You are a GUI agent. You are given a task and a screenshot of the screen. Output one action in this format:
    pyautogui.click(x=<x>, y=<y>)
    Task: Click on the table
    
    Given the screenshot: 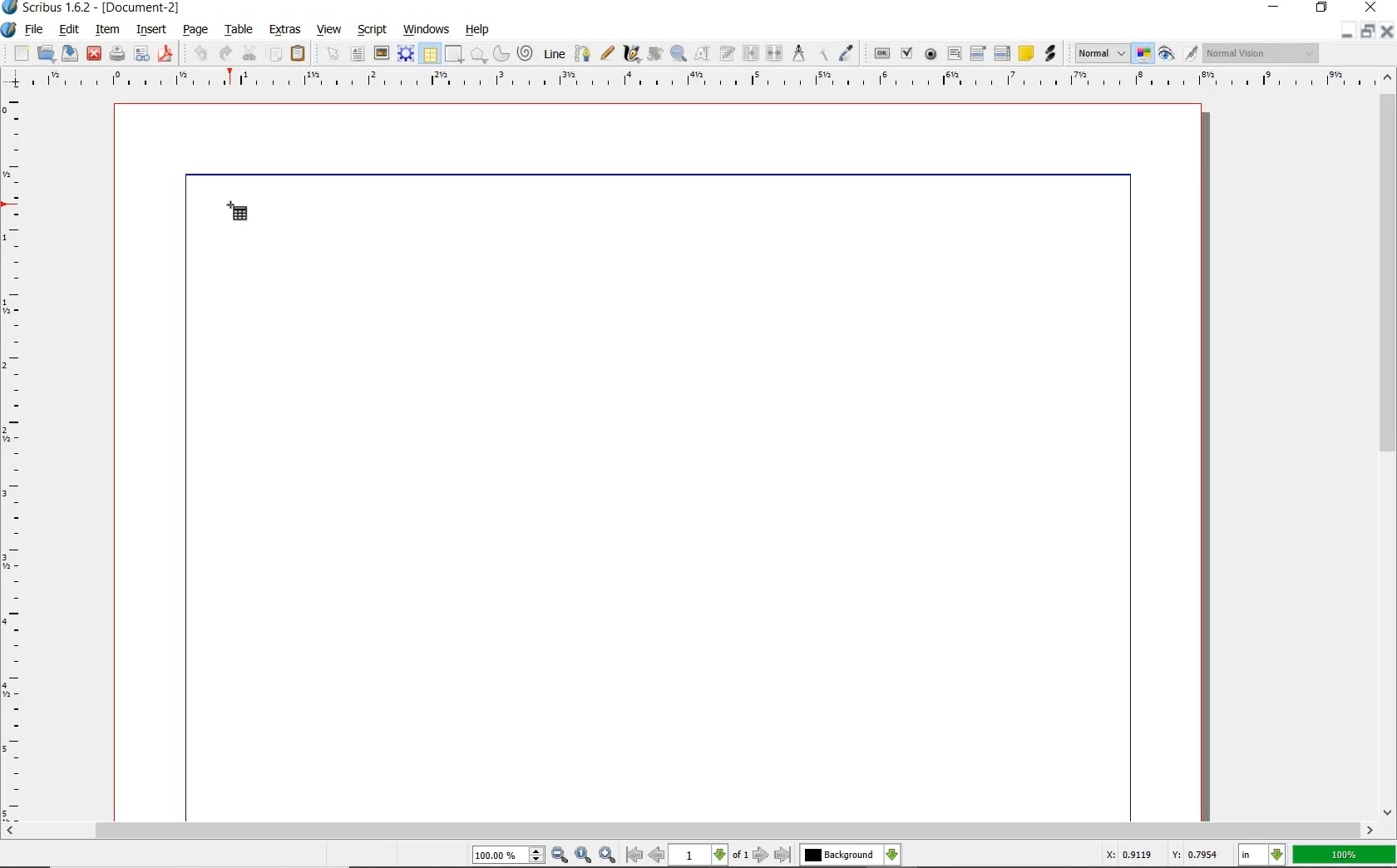 What is the action you would take?
    pyautogui.click(x=241, y=31)
    